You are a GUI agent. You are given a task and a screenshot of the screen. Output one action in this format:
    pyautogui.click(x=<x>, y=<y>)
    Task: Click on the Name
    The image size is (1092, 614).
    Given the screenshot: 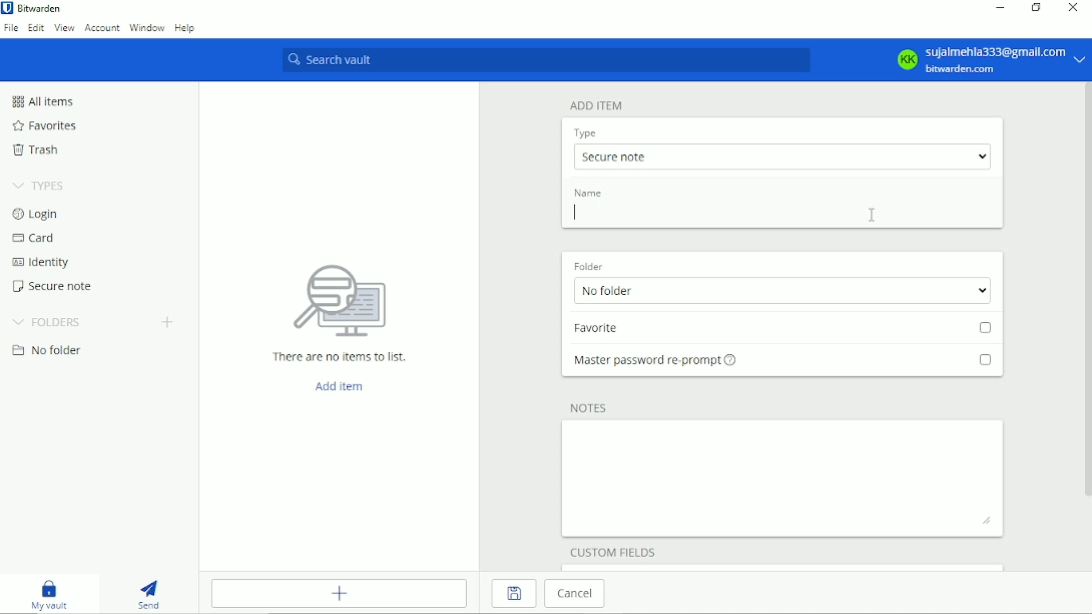 What is the action you would take?
    pyautogui.click(x=590, y=193)
    